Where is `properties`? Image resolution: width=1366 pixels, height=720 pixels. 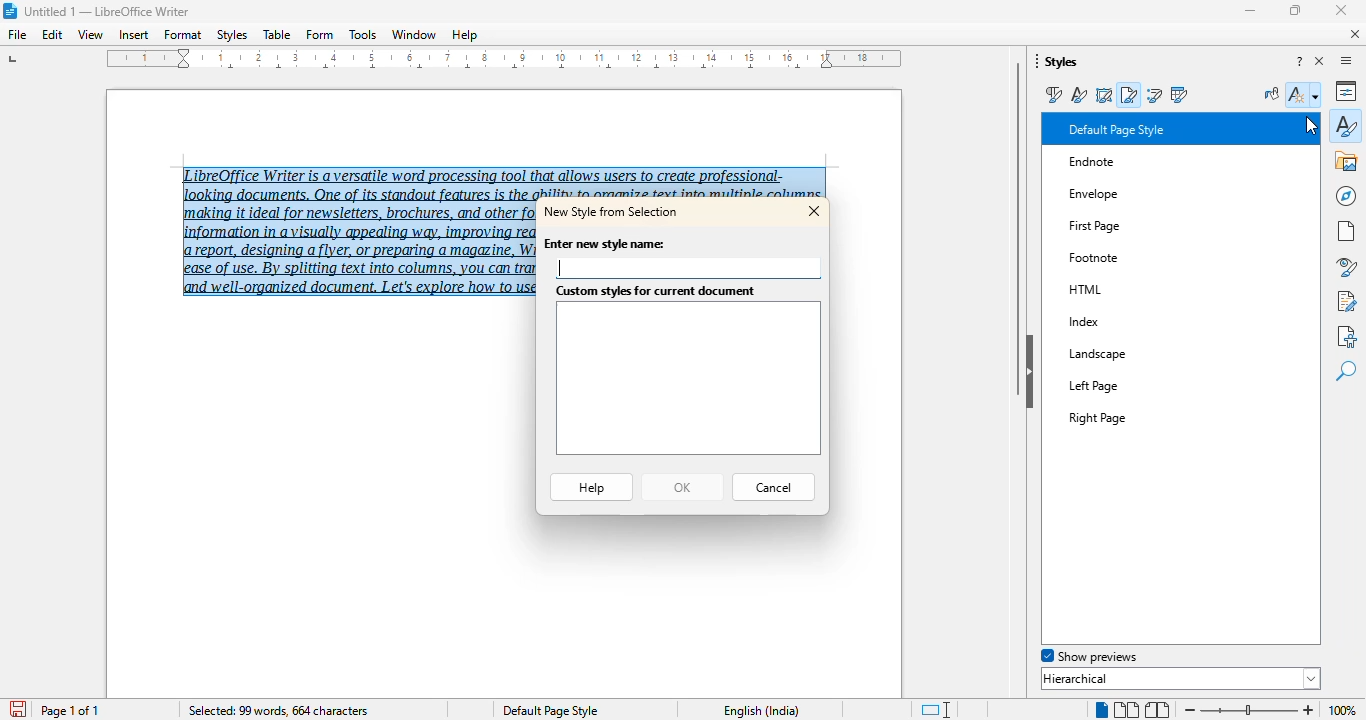 properties is located at coordinates (1348, 90).